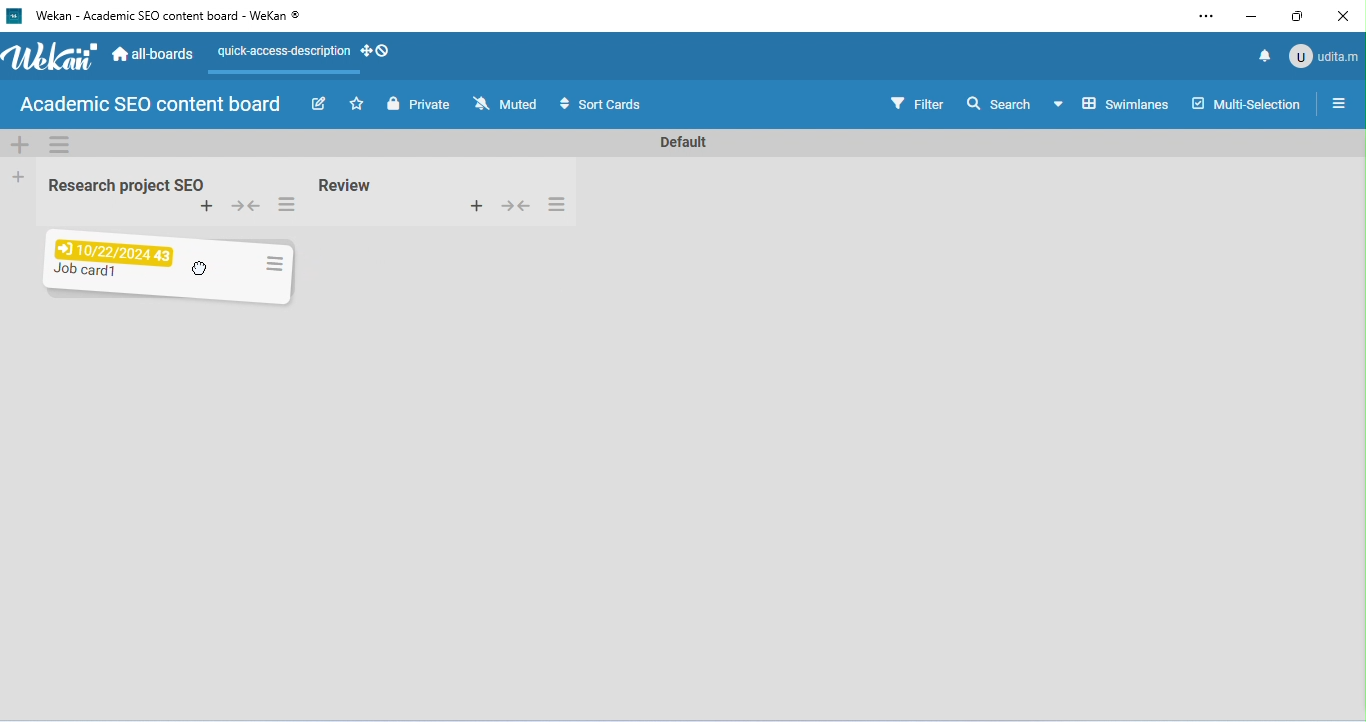  Describe the element at coordinates (1110, 103) in the screenshot. I see `board view` at that location.